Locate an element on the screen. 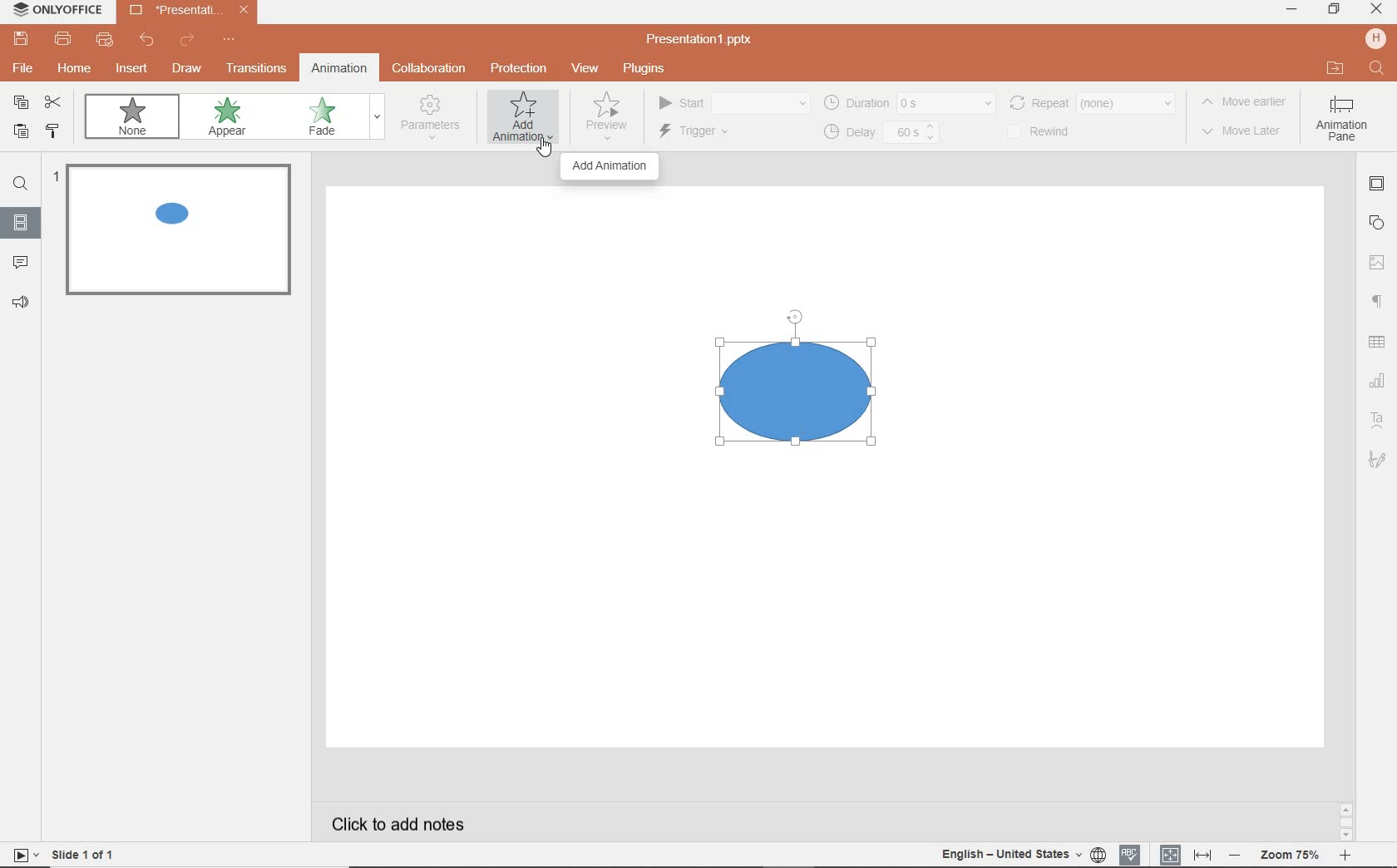  ANIMATION is located at coordinates (523, 121).